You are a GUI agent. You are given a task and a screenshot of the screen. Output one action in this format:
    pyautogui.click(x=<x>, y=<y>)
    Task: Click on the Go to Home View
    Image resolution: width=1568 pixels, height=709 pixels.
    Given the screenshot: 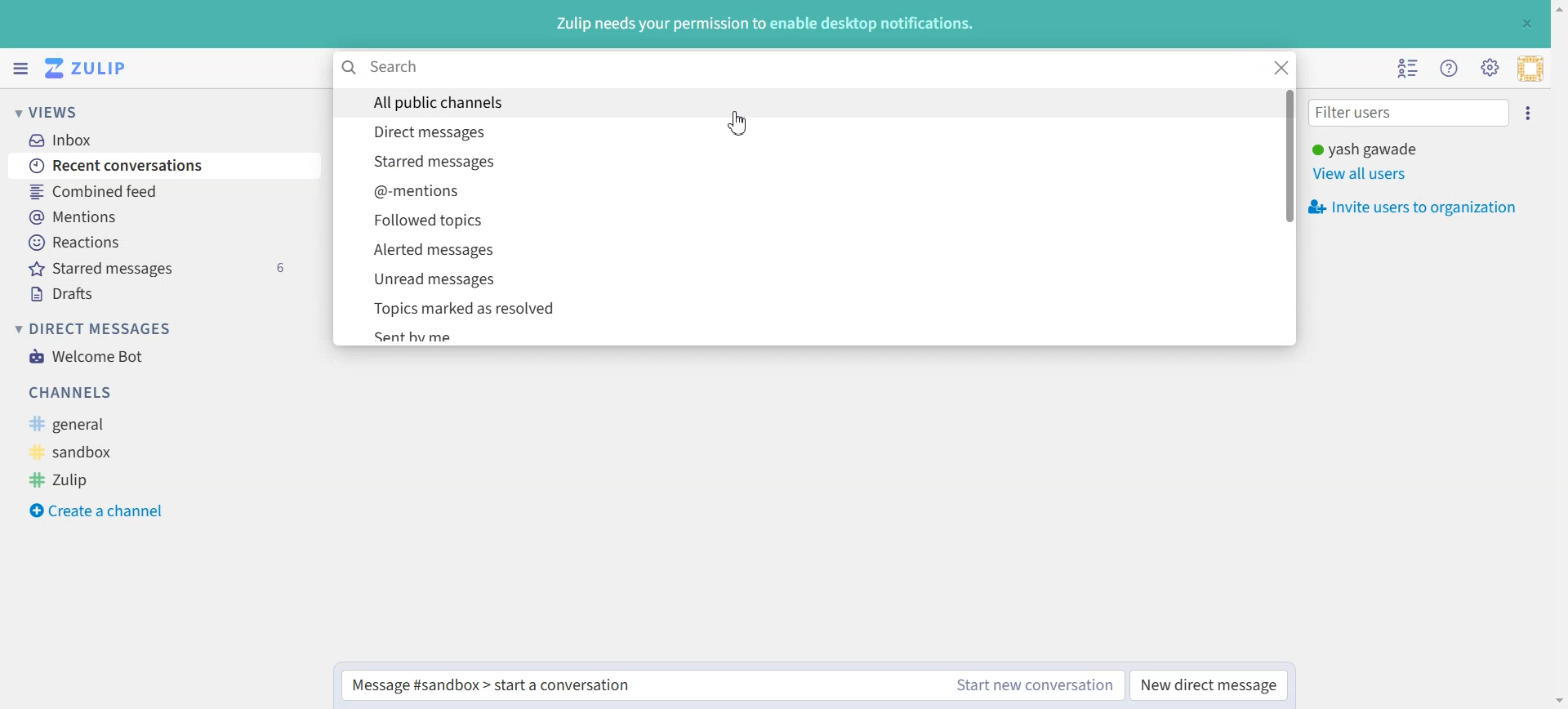 What is the action you would take?
    pyautogui.click(x=92, y=69)
    